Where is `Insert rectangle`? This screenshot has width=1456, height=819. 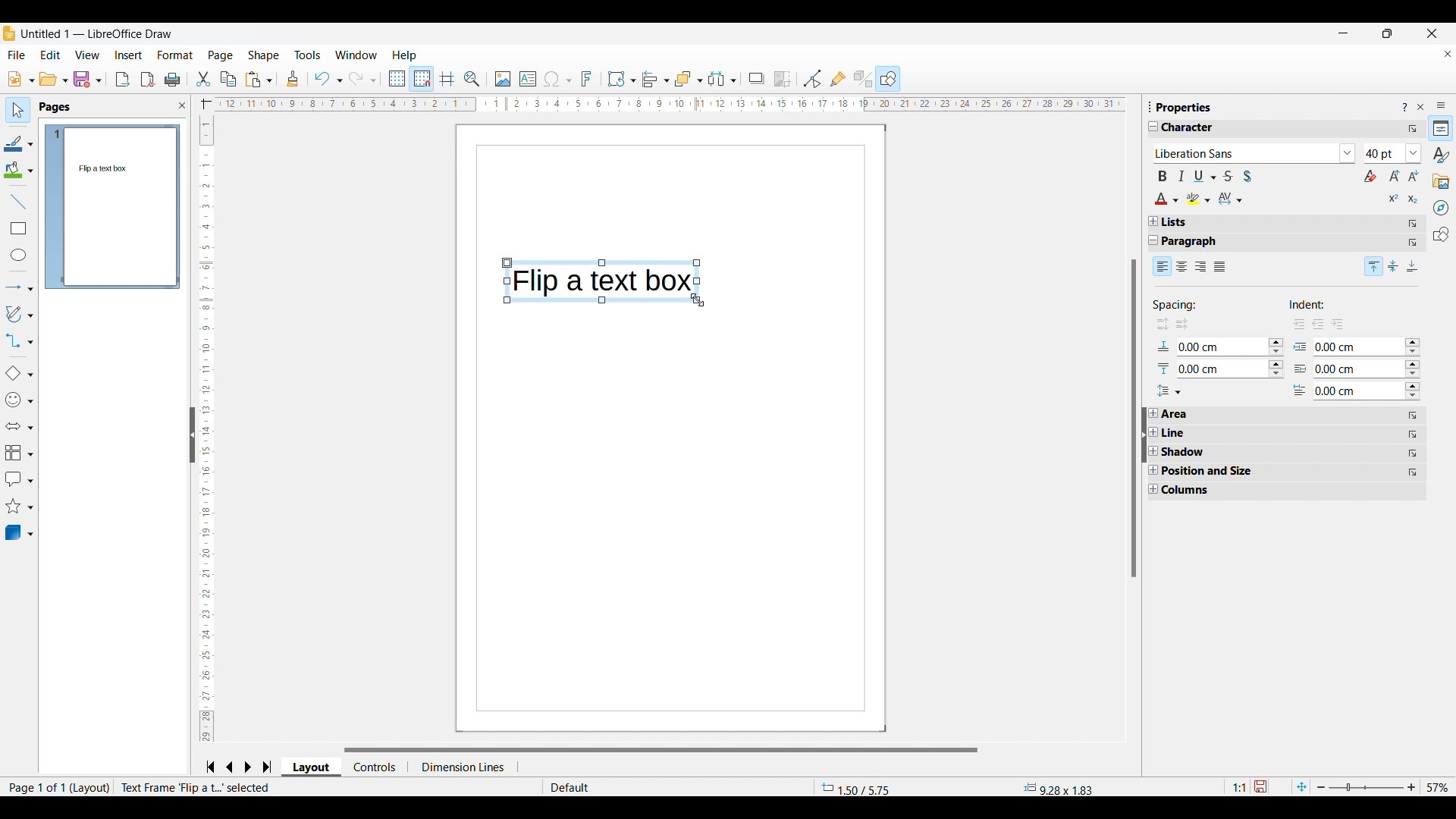
Insert rectangle is located at coordinates (19, 228).